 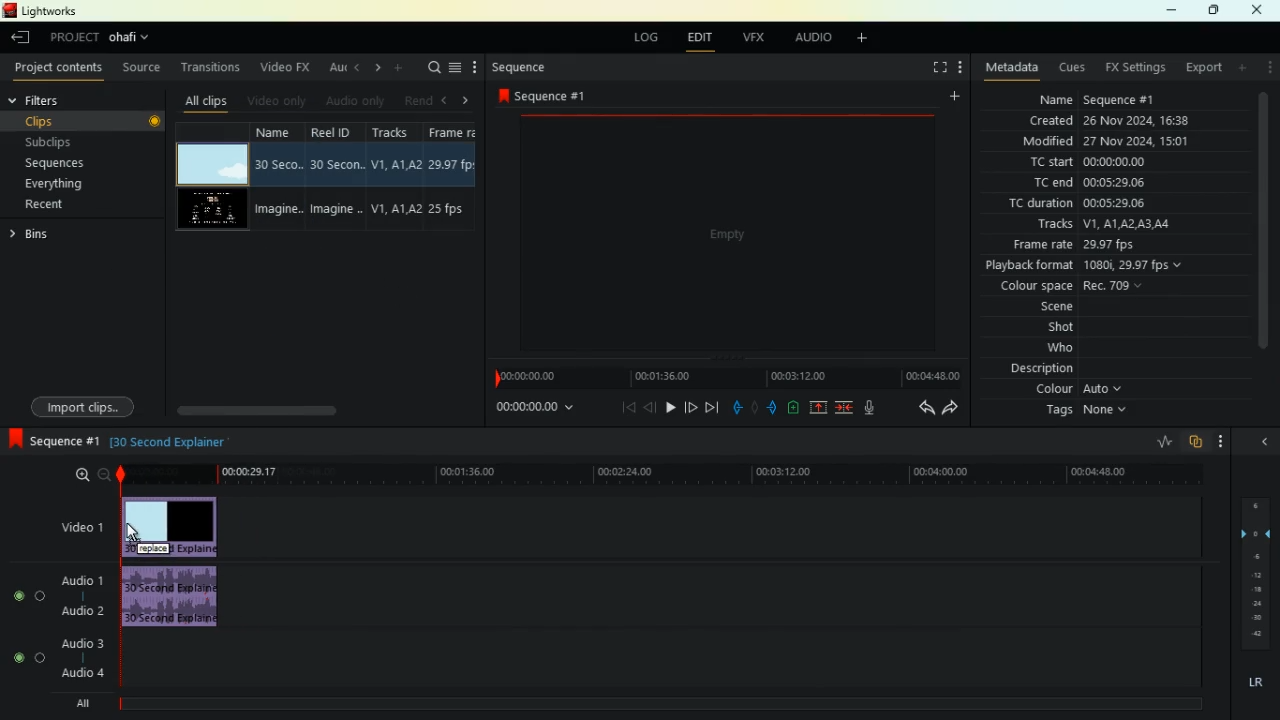 I want to click on forward, so click(x=951, y=410).